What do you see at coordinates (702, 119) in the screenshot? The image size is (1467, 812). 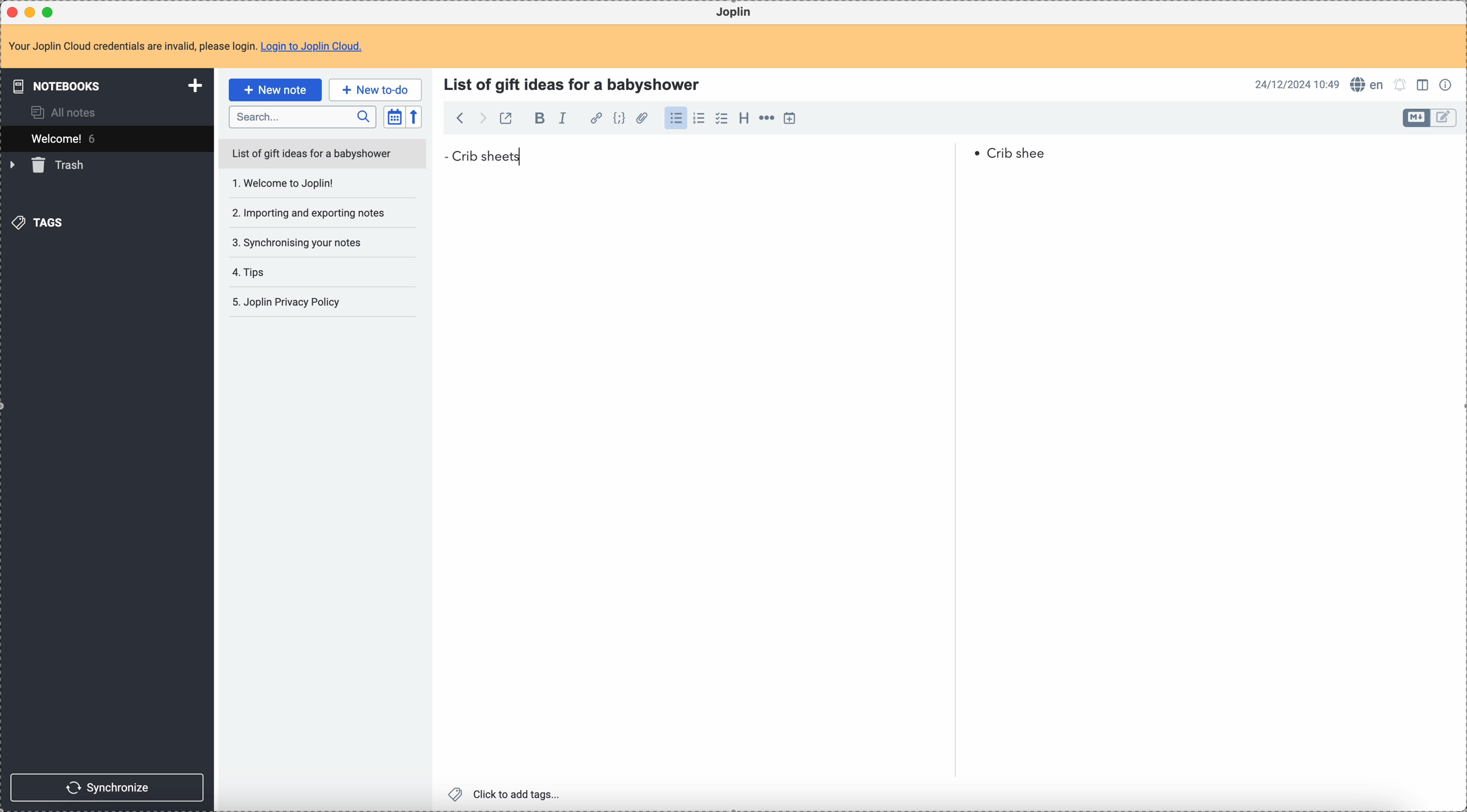 I see `numbered list` at bounding box center [702, 119].